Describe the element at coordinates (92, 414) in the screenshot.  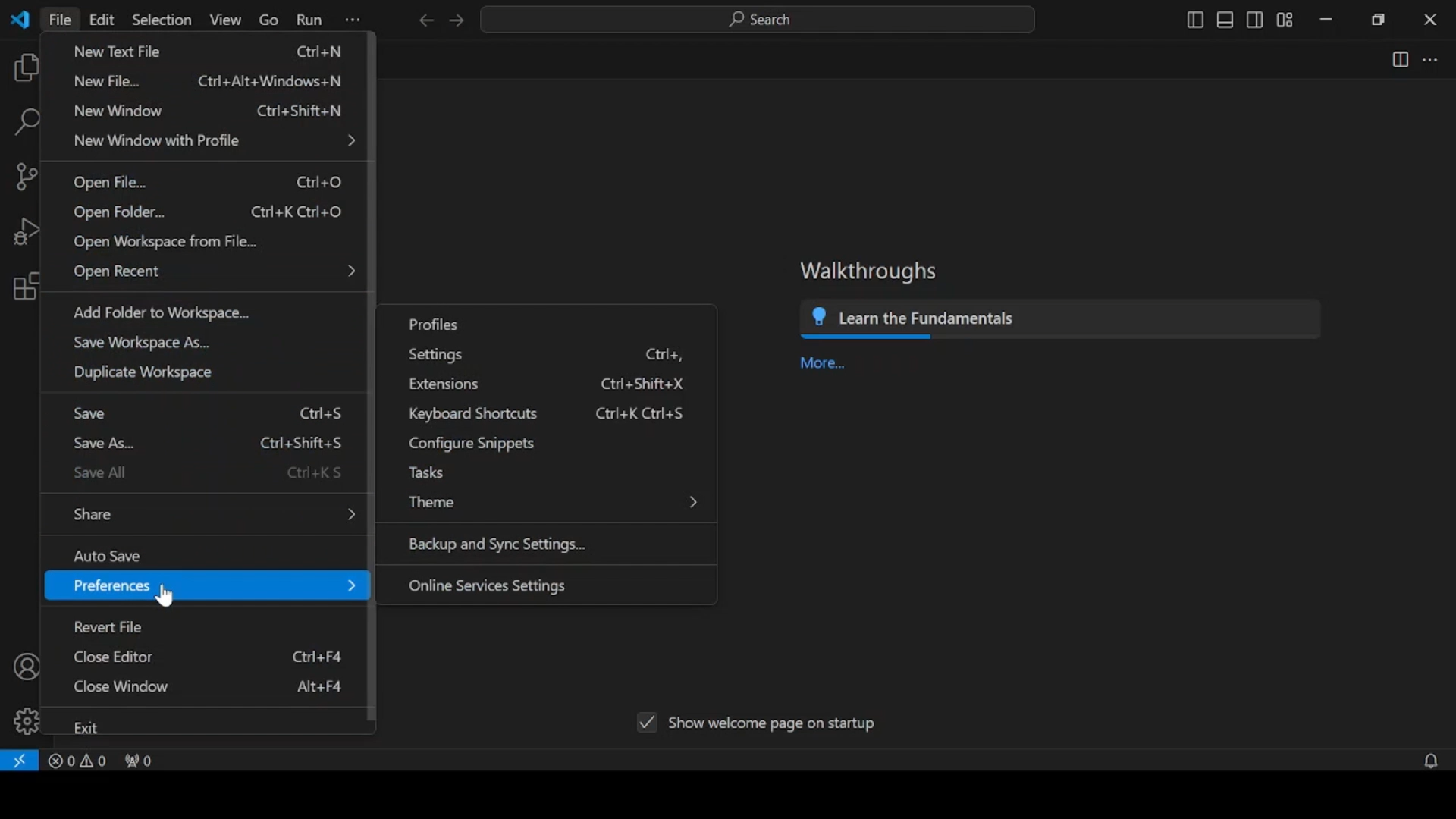
I see `save` at that location.